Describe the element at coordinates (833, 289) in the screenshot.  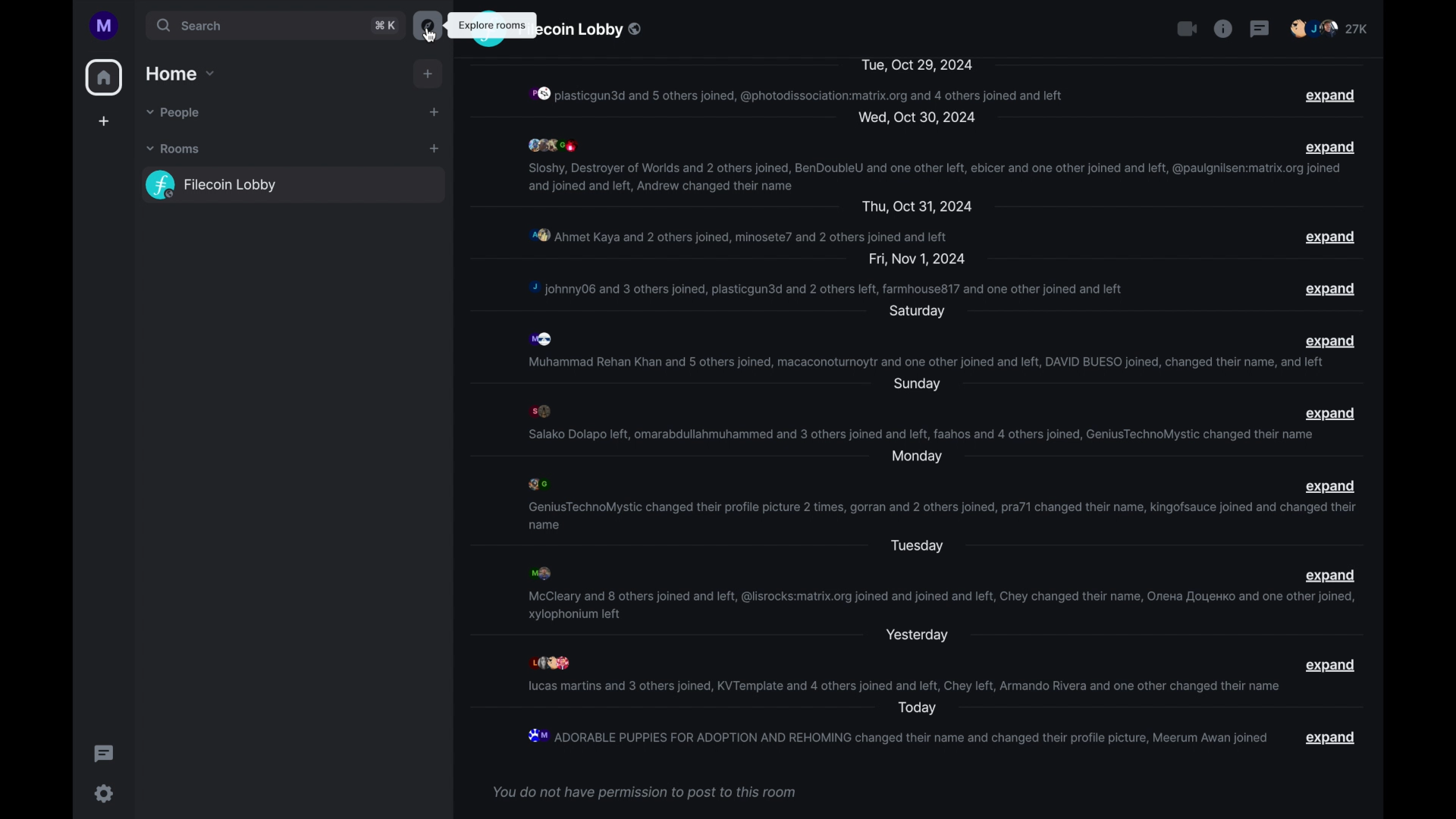
I see ` johnny06 and 3 others joined, plasticgun3d and 2 others left, farmhouse817 and one other joined and left` at that location.